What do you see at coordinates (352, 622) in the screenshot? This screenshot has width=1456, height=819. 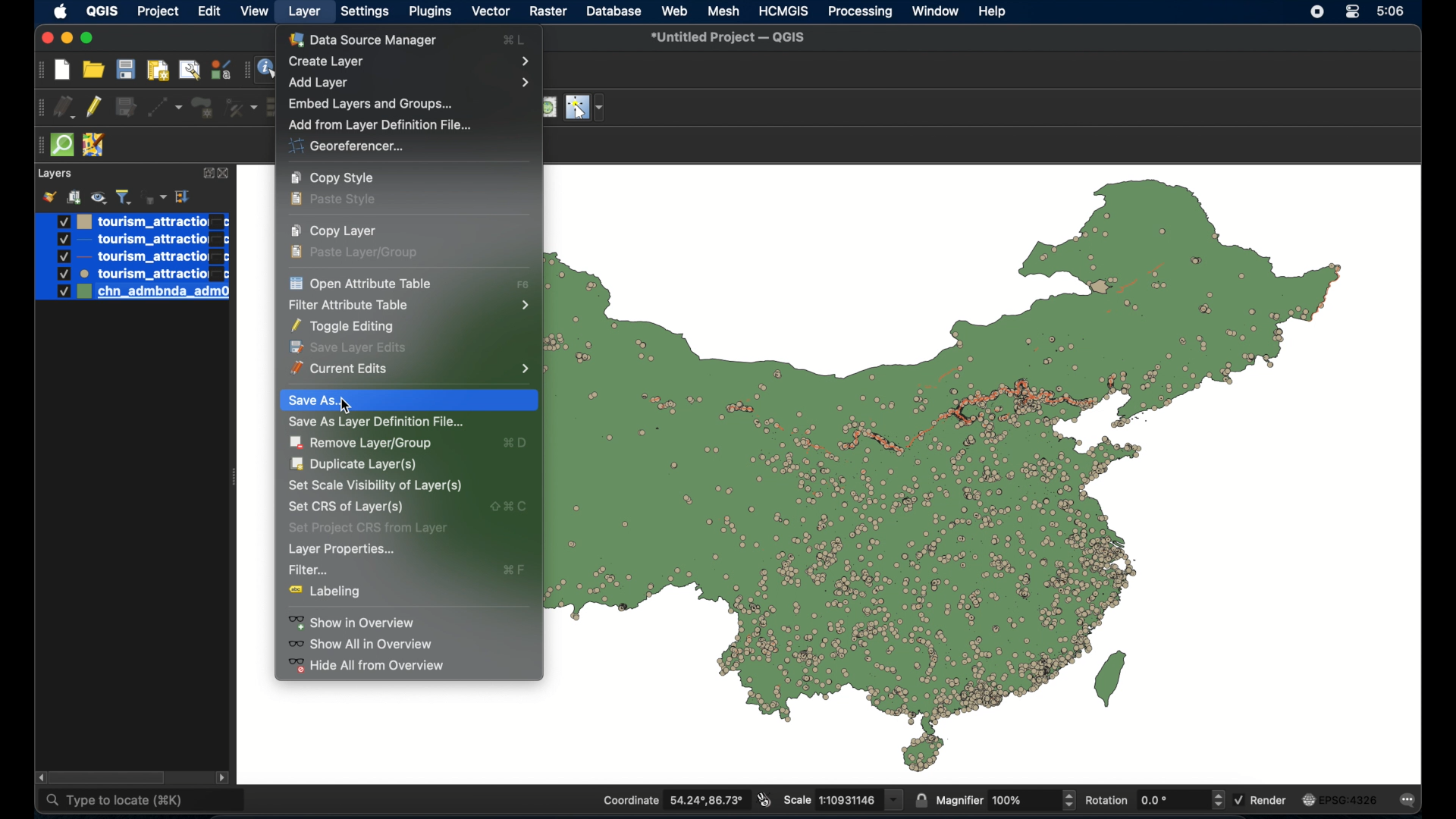 I see `show in overview` at bounding box center [352, 622].